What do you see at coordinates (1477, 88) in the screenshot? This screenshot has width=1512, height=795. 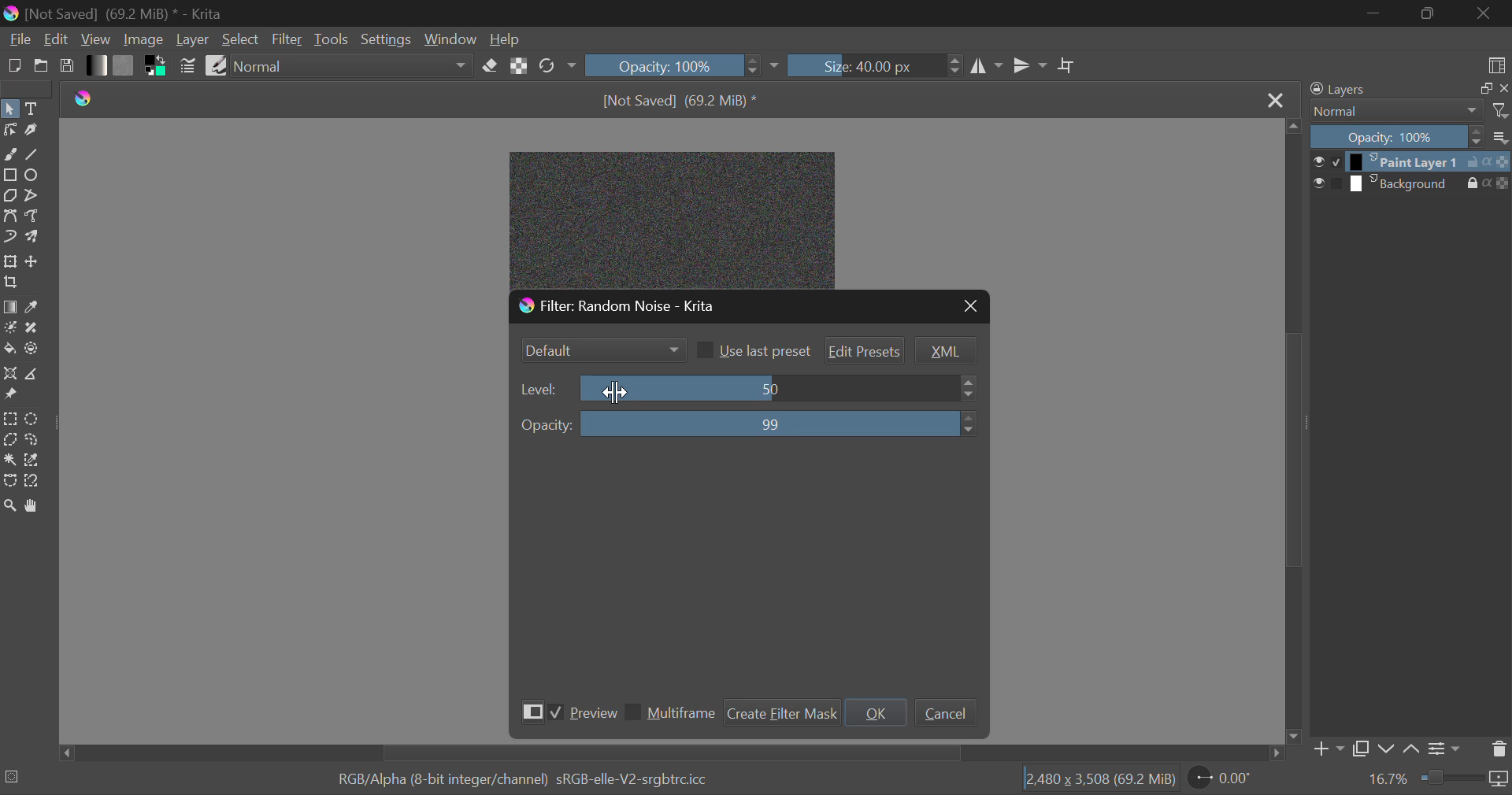 I see `maximize` at bounding box center [1477, 88].